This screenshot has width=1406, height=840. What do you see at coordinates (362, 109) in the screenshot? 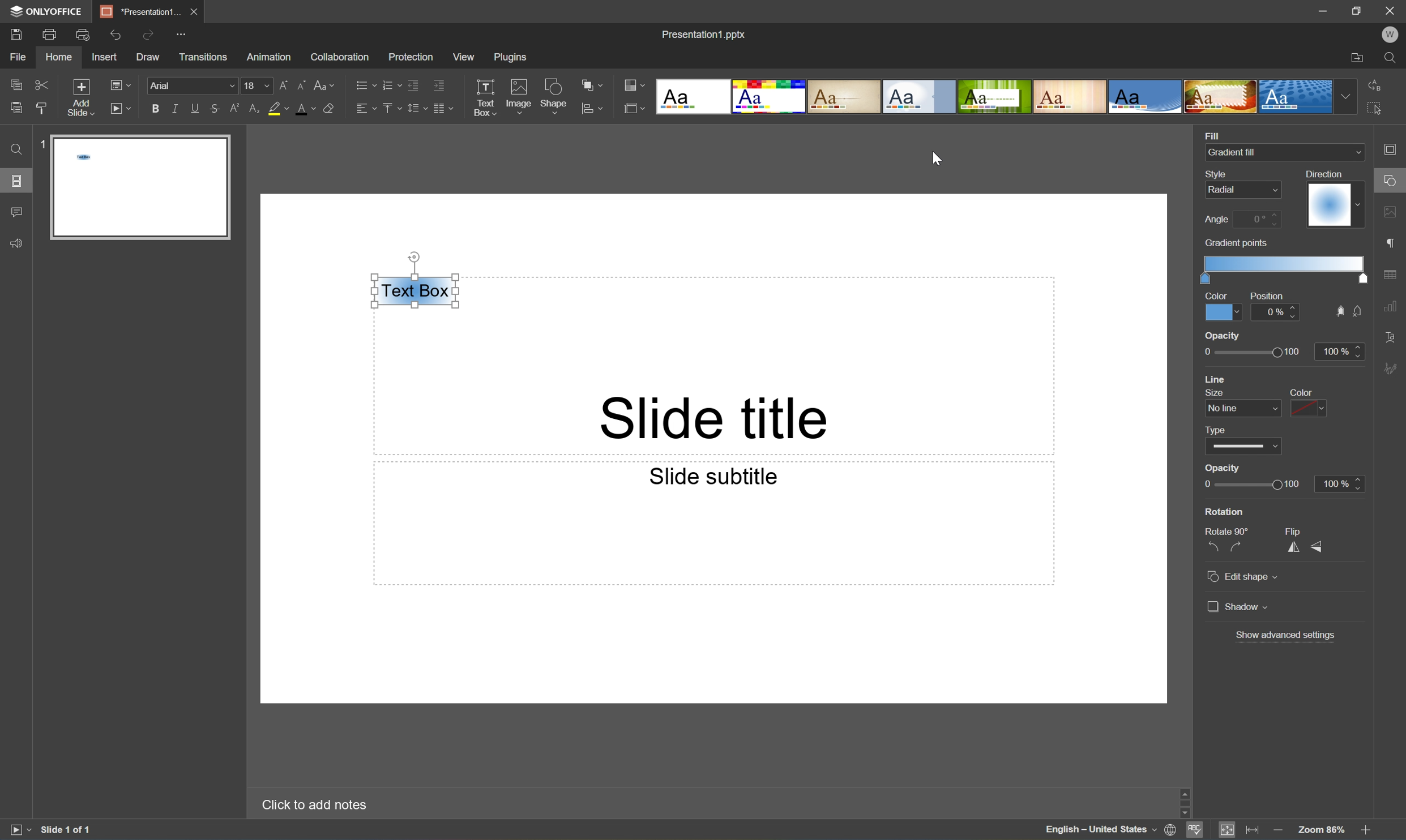
I see `Horizontally align` at bounding box center [362, 109].